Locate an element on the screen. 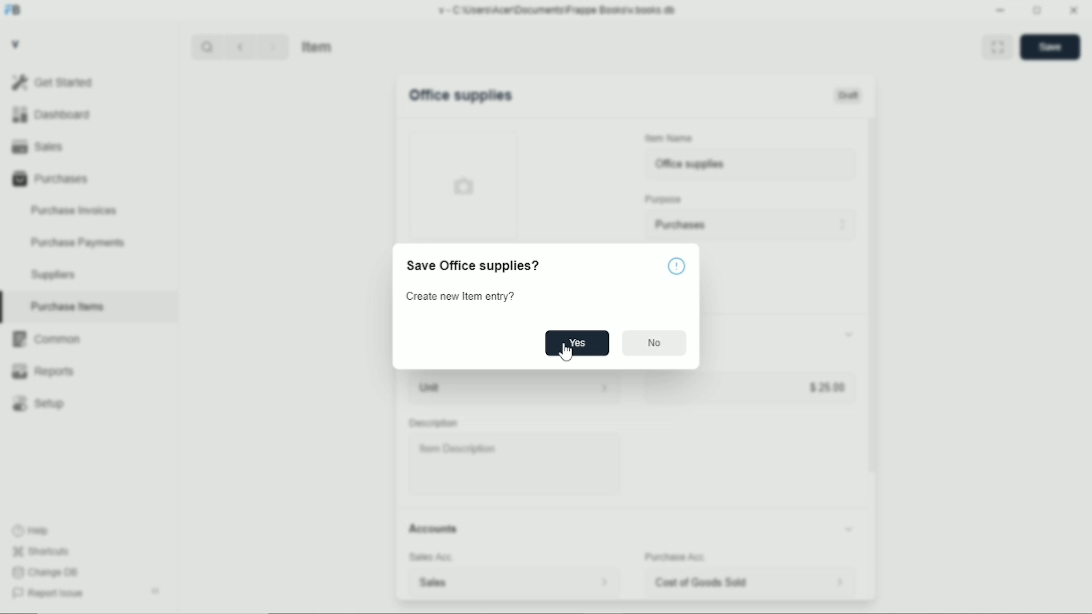  office supplies is located at coordinates (752, 164).